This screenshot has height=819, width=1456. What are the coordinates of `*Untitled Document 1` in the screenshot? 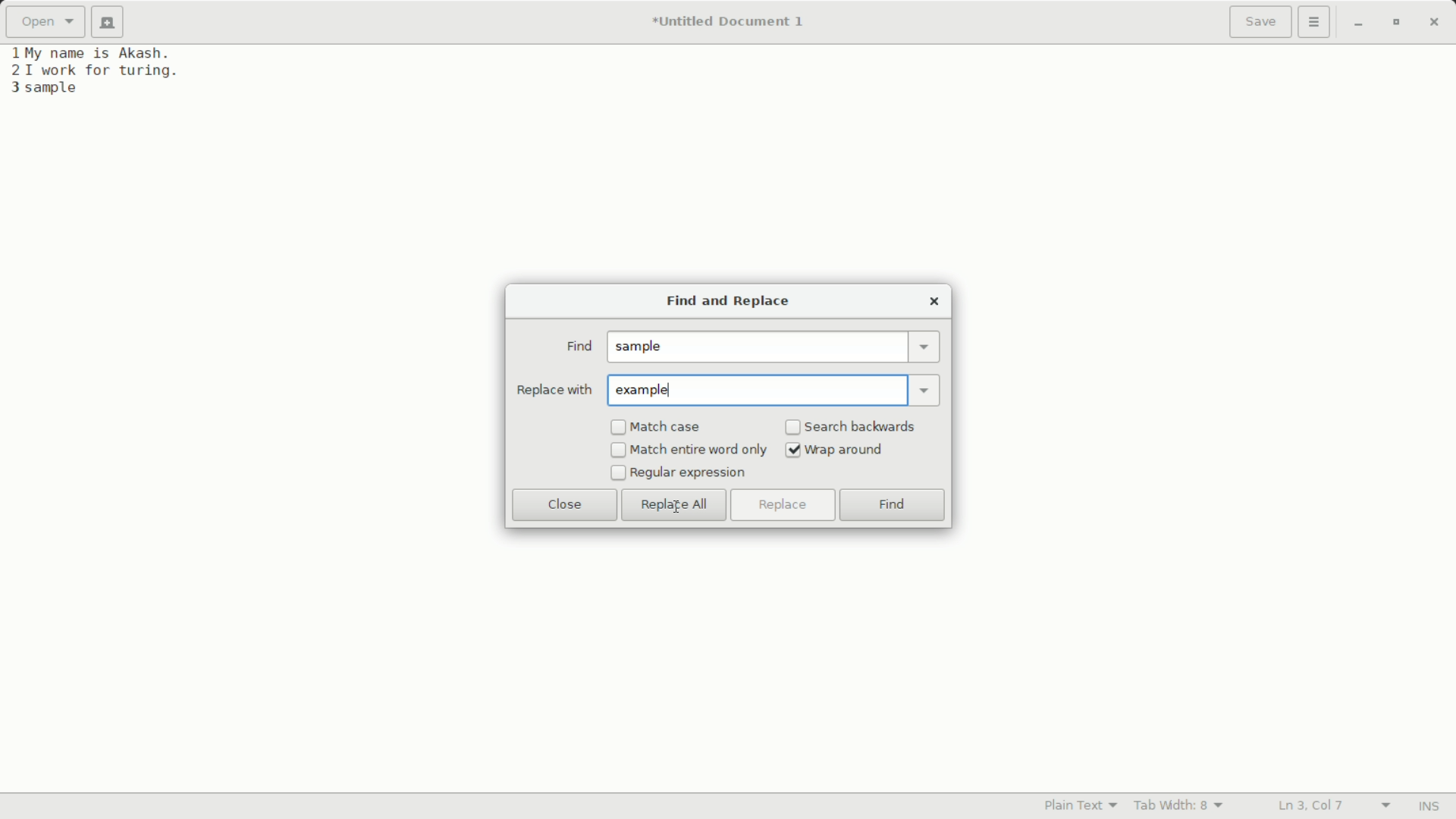 It's located at (728, 24).